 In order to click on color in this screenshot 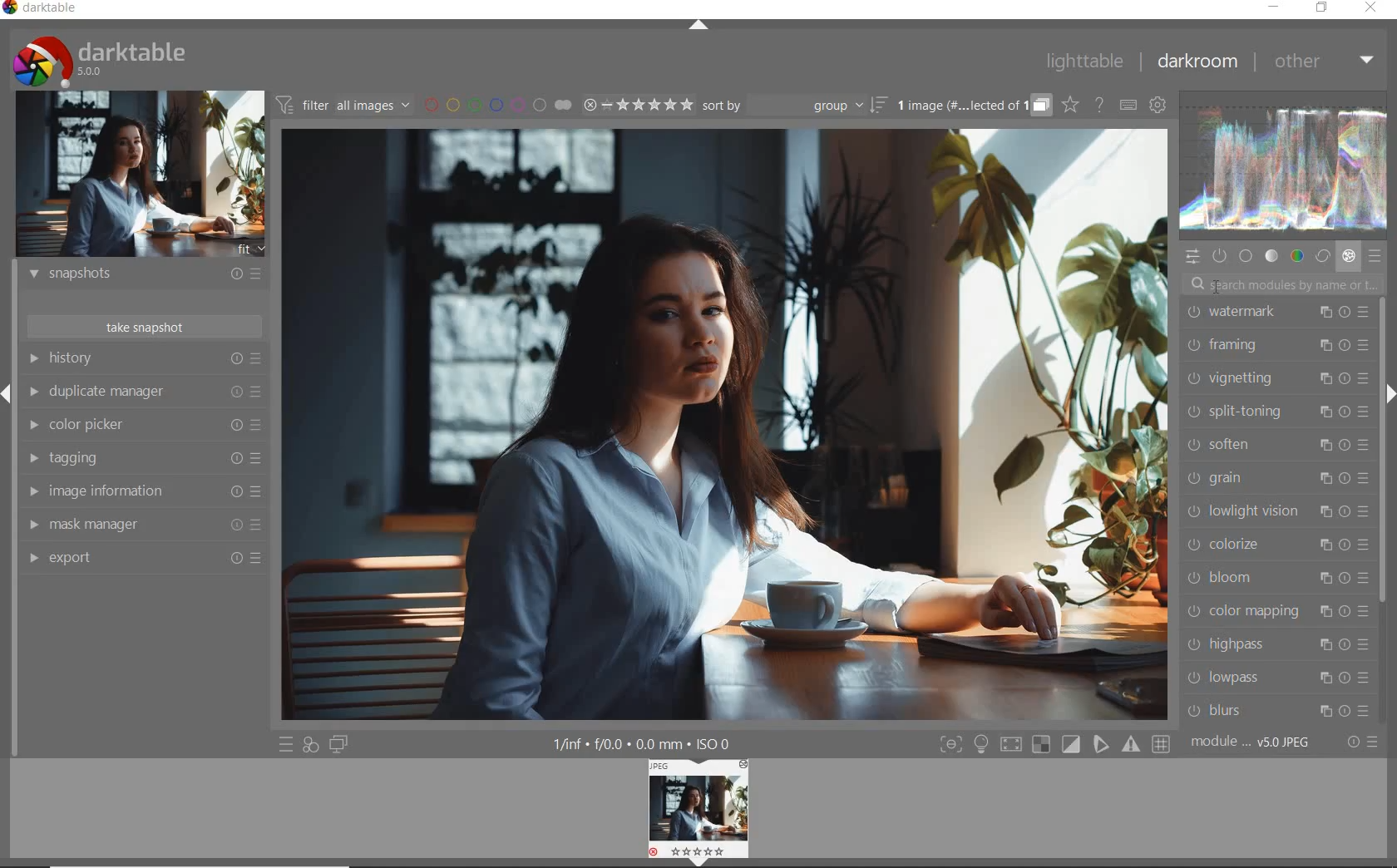, I will do `click(1298, 255)`.